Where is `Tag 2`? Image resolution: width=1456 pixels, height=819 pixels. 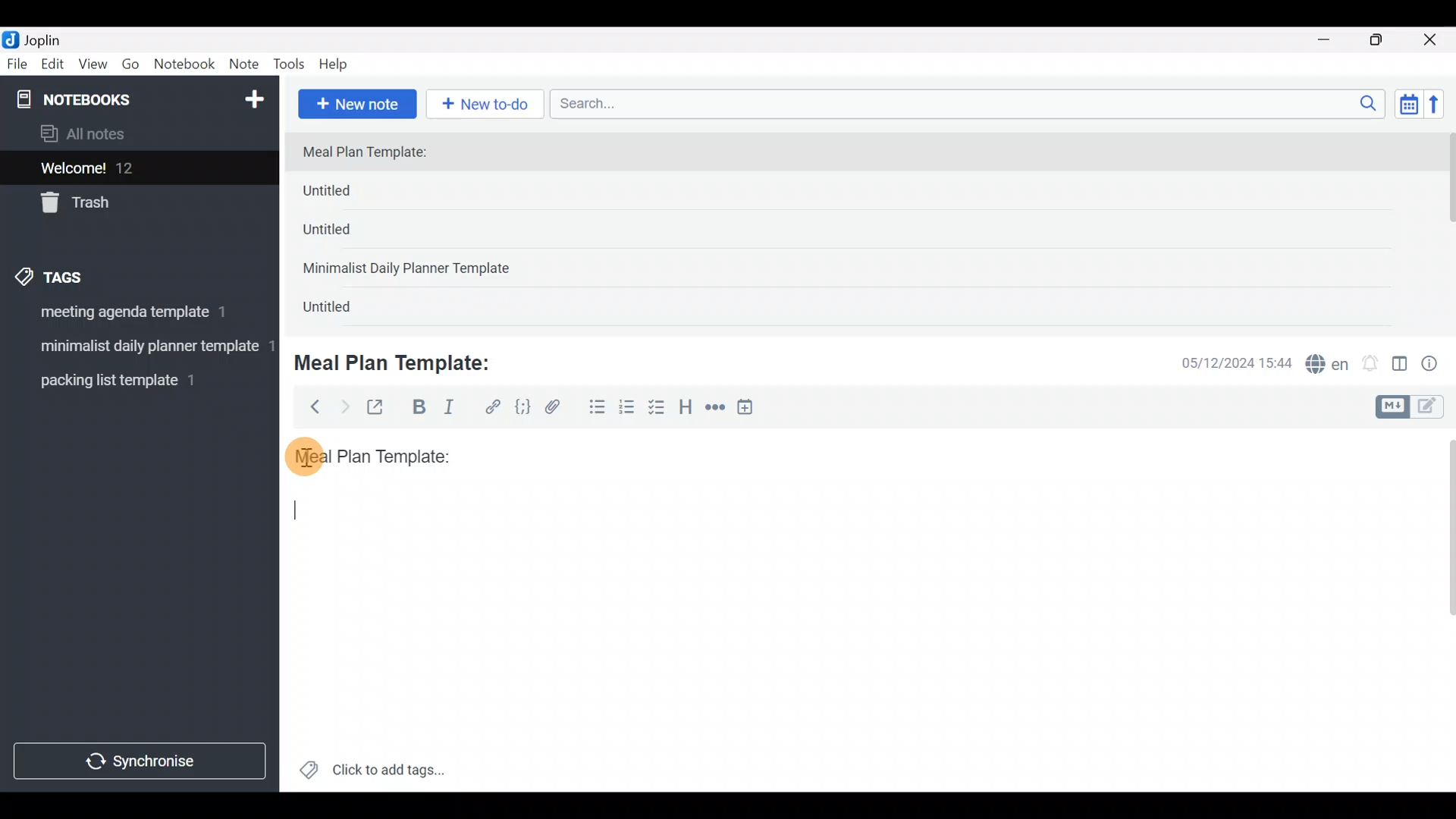 Tag 2 is located at coordinates (139, 348).